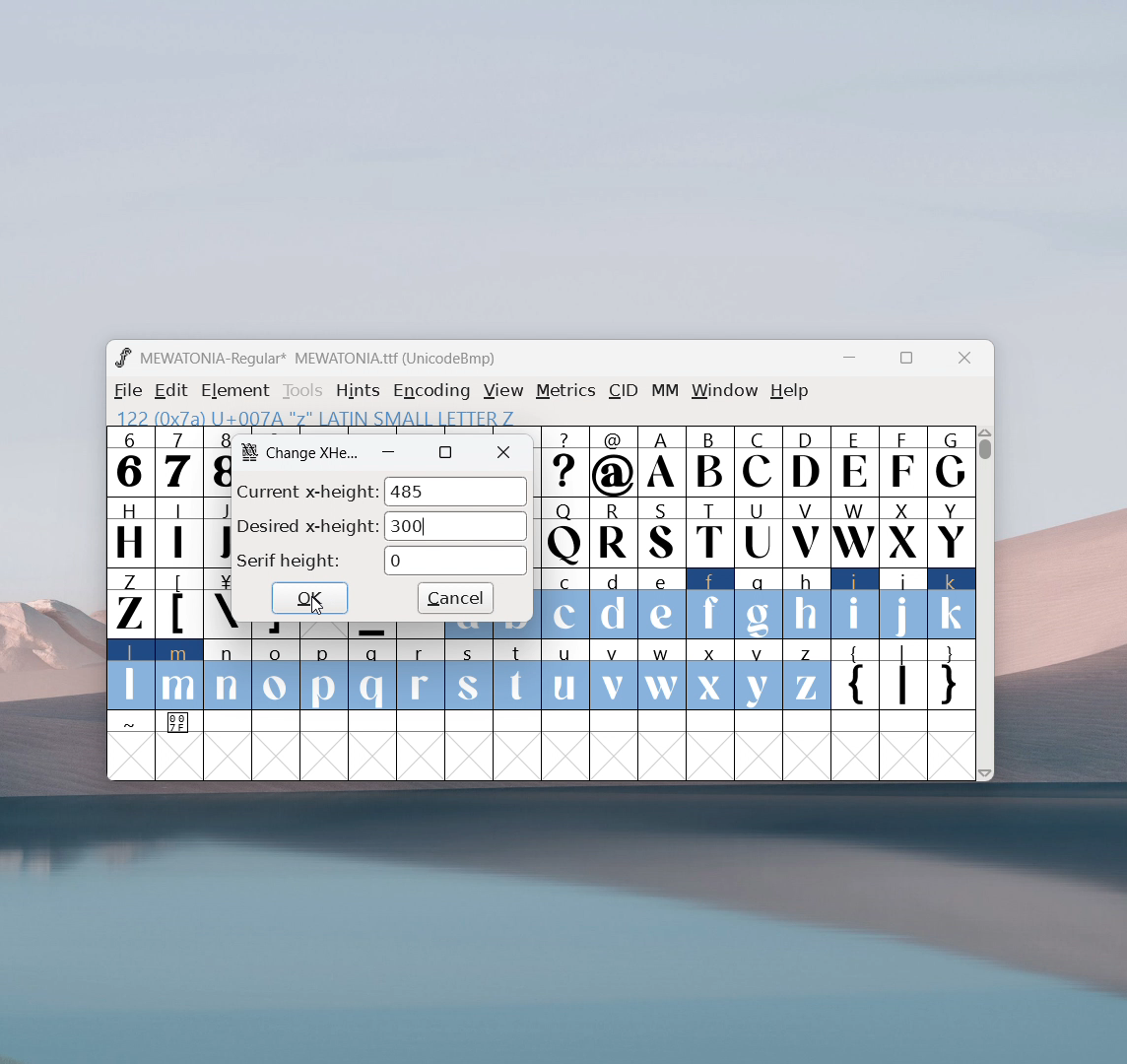 This screenshot has width=1127, height=1064. I want to click on i, so click(855, 604).